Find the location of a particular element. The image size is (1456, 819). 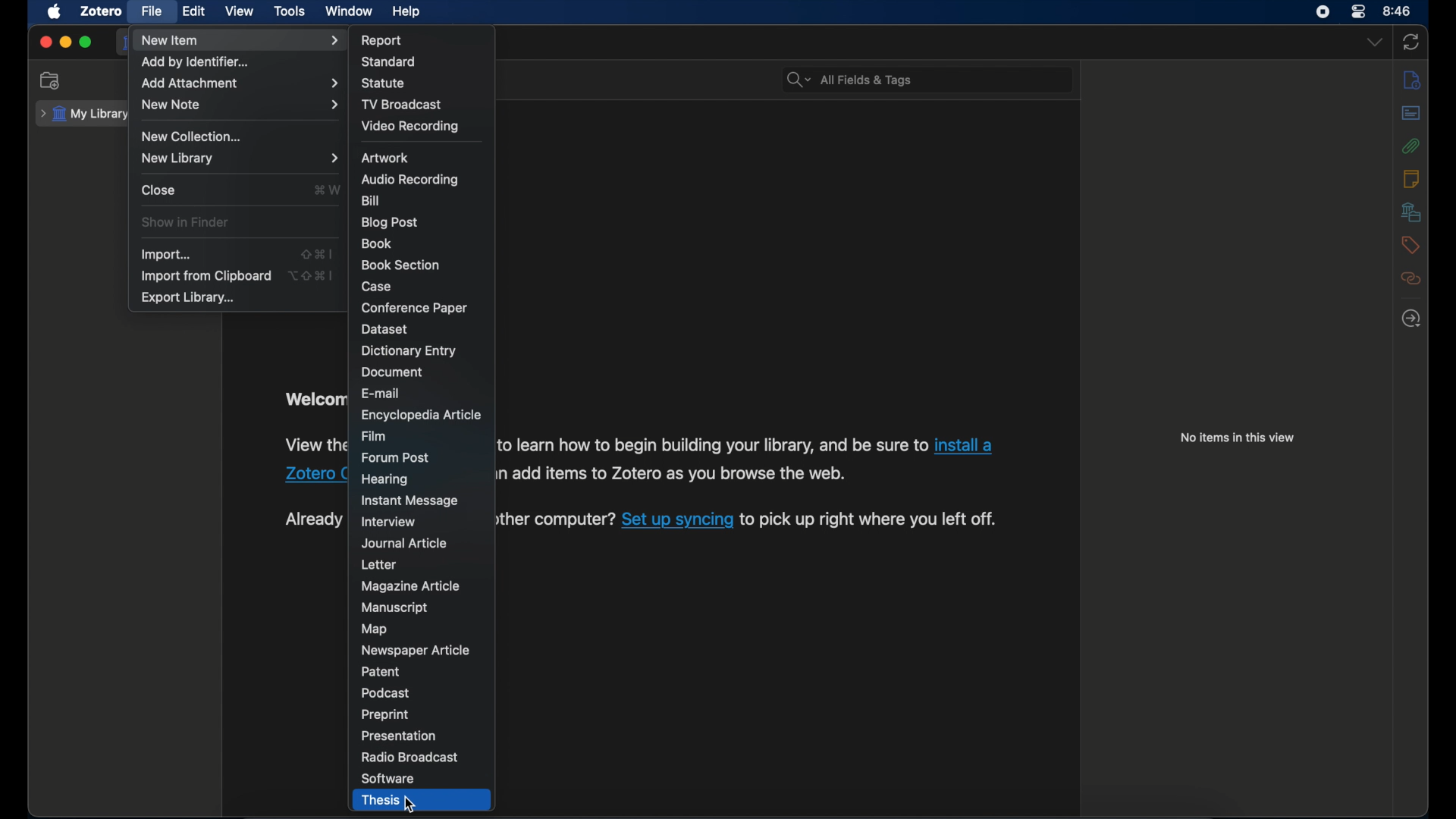

search dropdown is located at coordinates (795, 80).